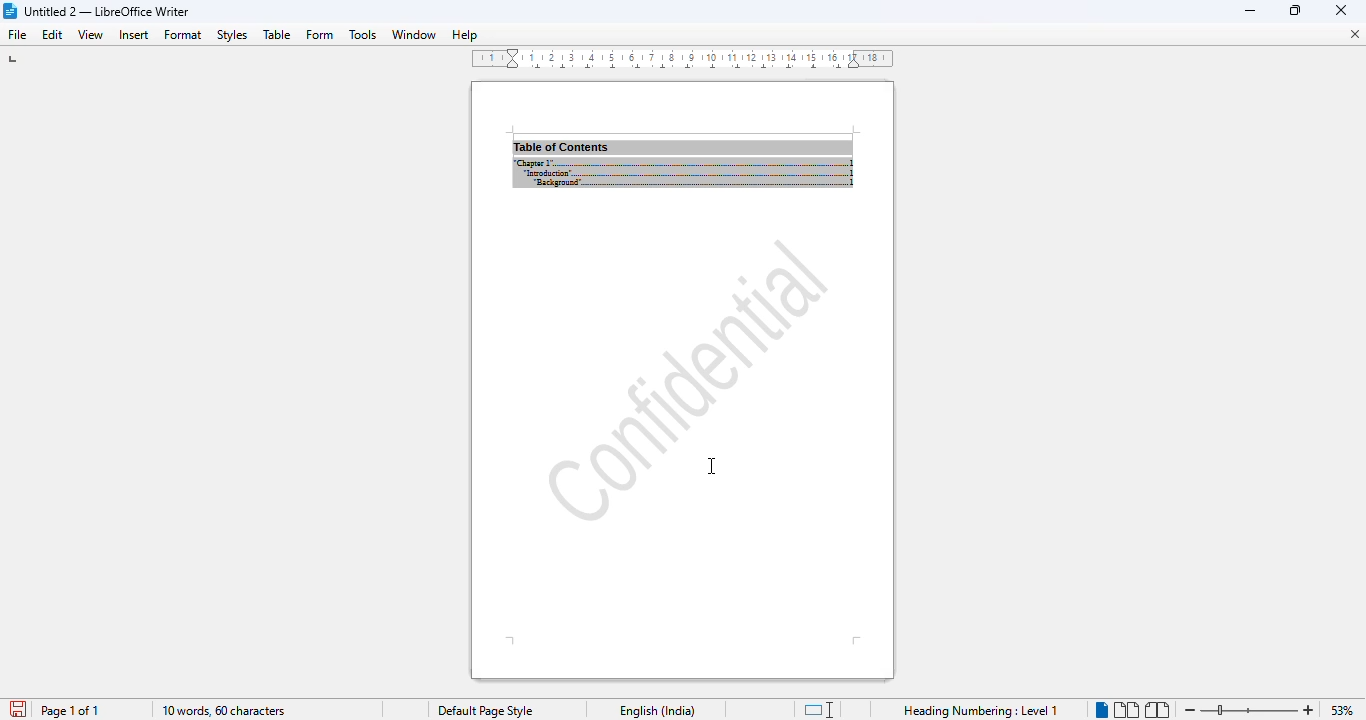 The height and width of the screenshot is (720, 1366). Describe the element at coordinates (17, 35) in the screenshot. I see `file` at that location.